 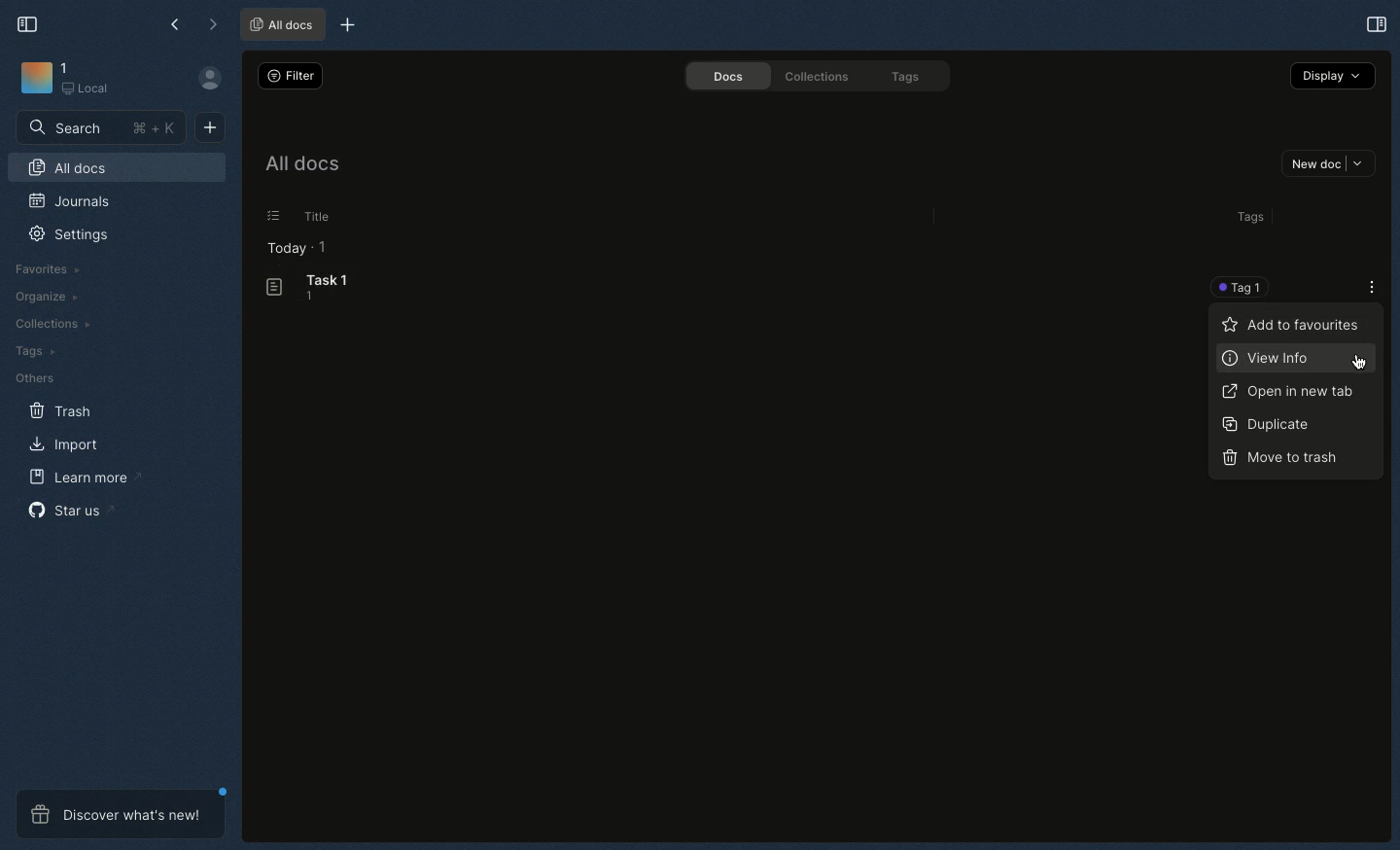 What do you see at coordinates (206, 79) in the screenshot?
I see `Profile` at bounding box center [206, 79].